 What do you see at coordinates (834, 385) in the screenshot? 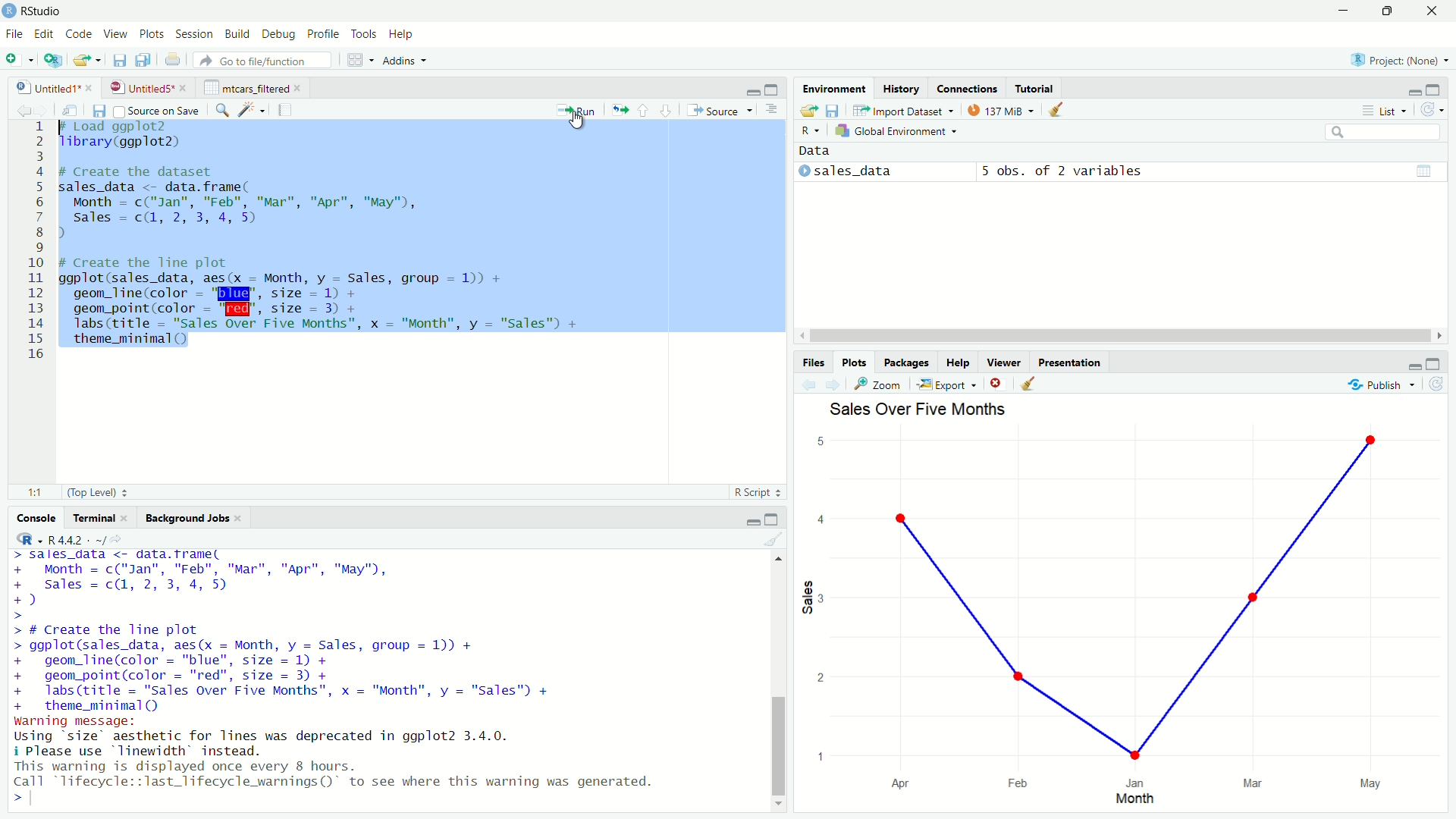
I see `forward` at bounding box center [834, 385].